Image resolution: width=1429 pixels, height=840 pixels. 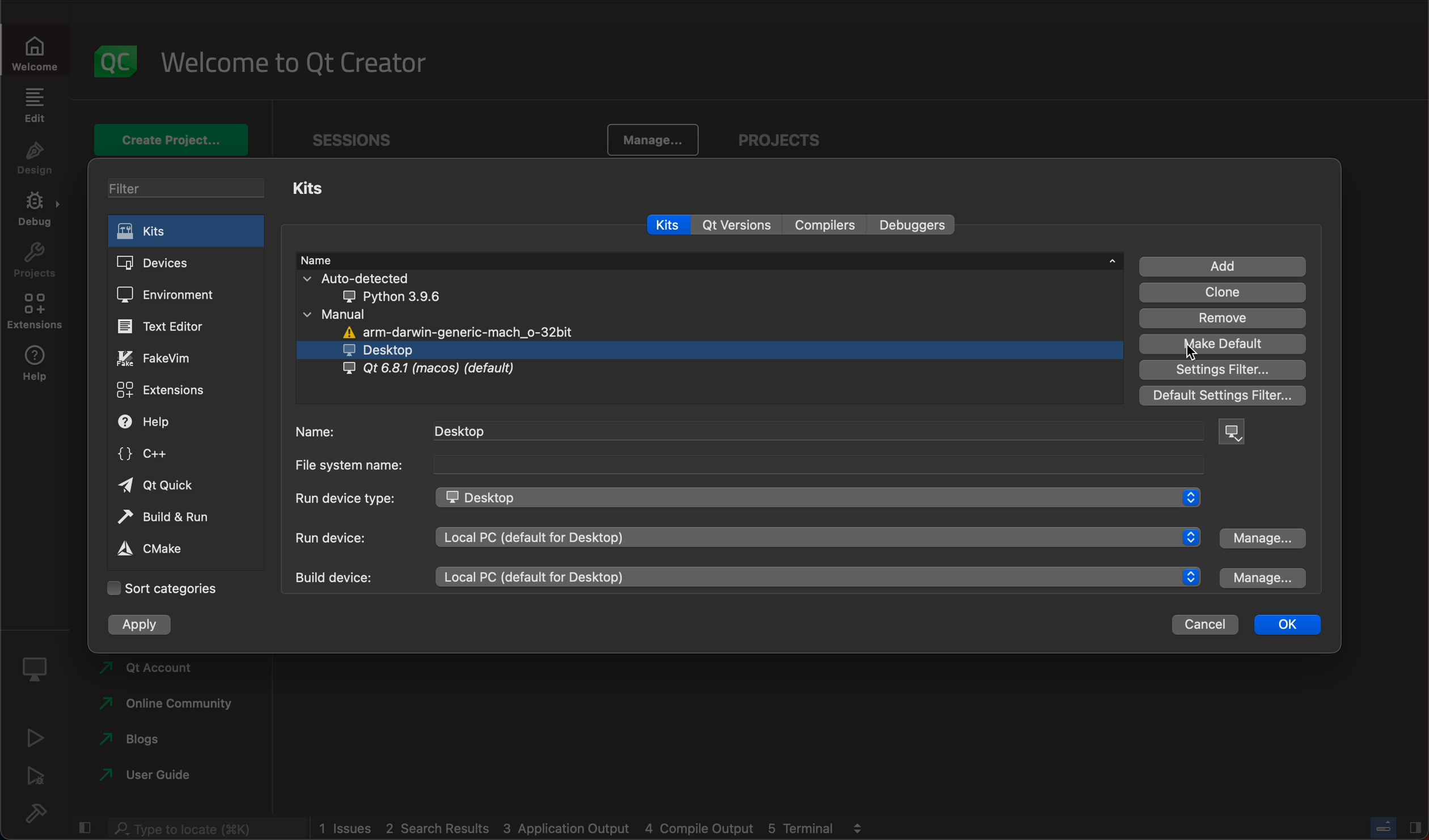 What do you see at coordinates (37, 368) in the screenshot?
I see `help` at bounding box center [37, 368].